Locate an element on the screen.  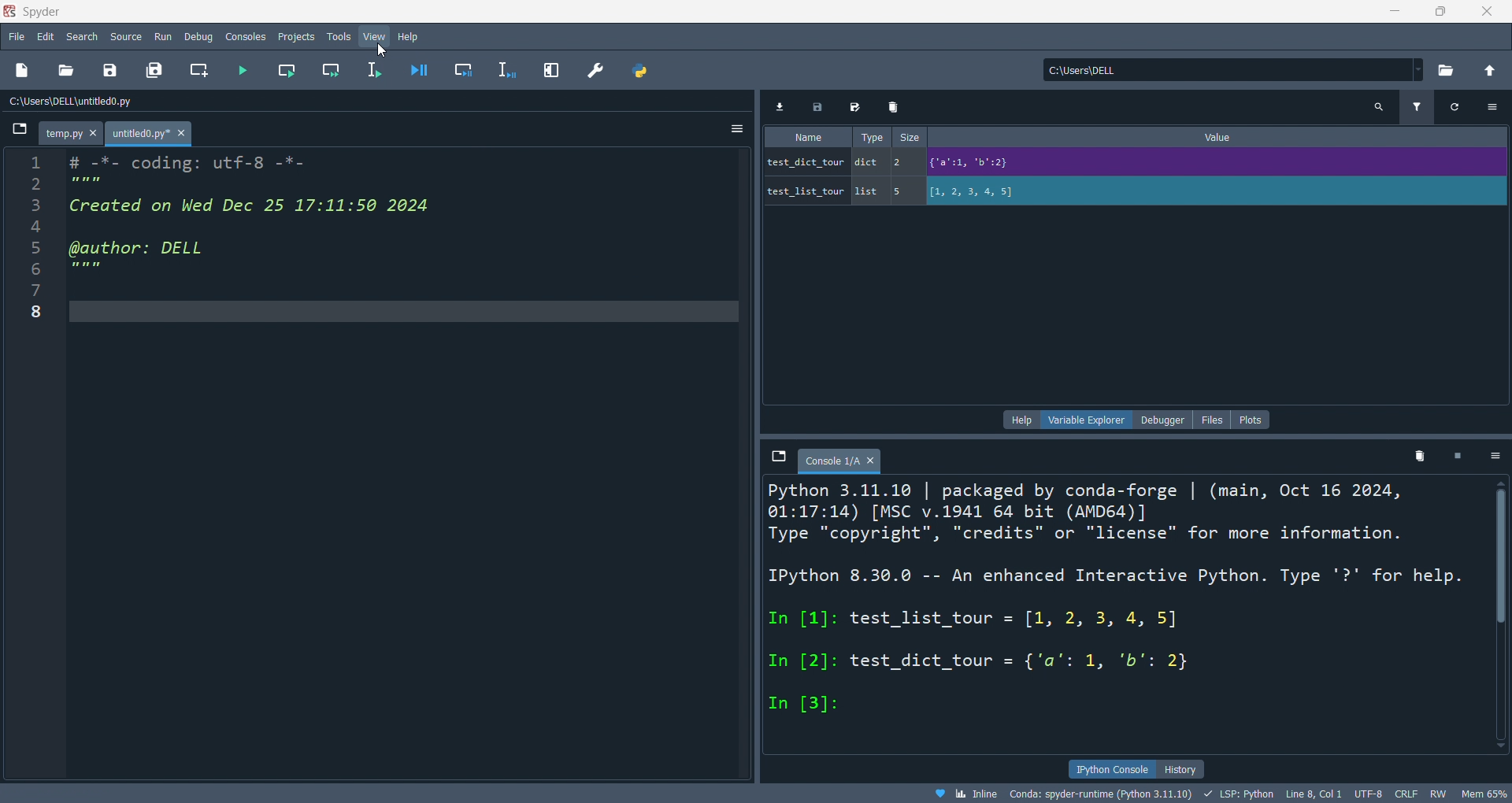
cursor is located at coordinates (380, 50).